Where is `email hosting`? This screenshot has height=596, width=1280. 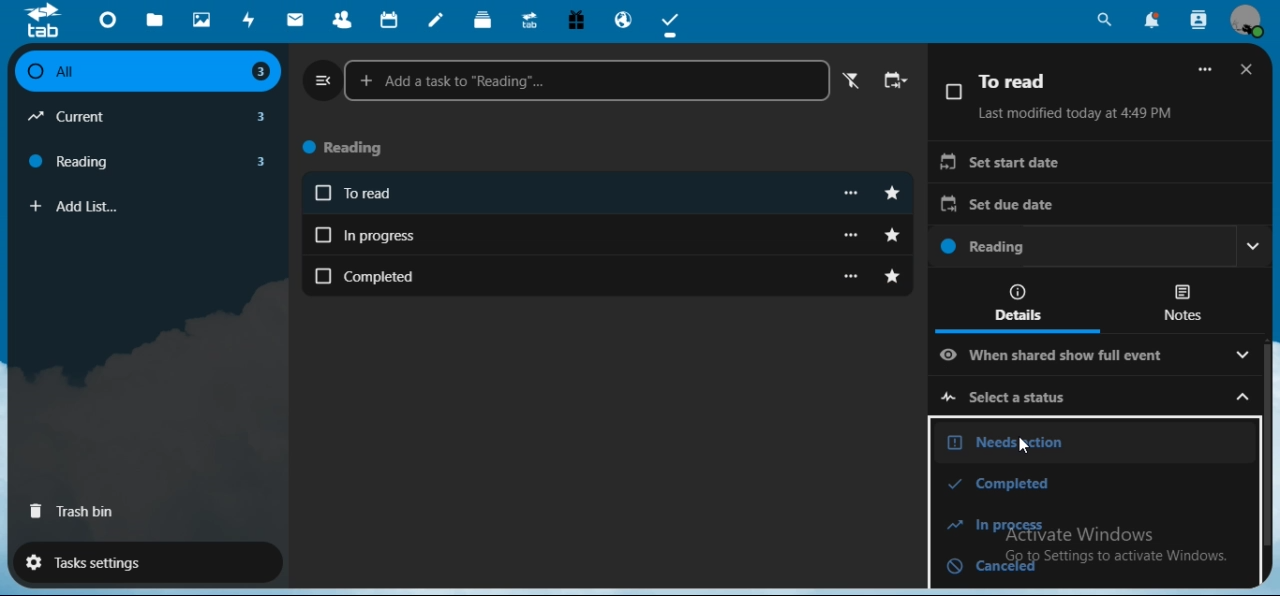
email hosting is located at coordinates (625, 21).